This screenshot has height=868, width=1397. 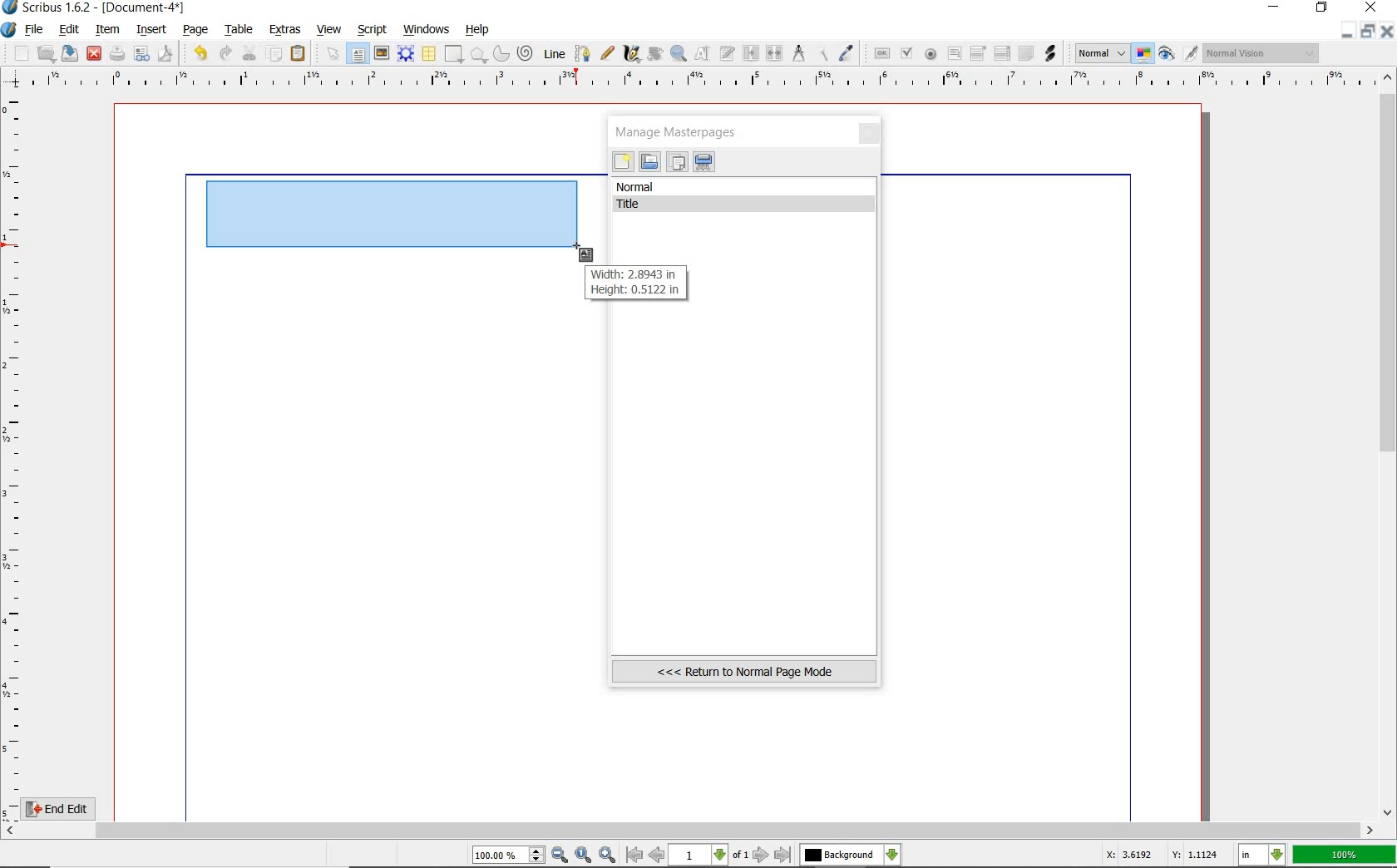 I want to click on save as pdf, so click(x=164, y=53).